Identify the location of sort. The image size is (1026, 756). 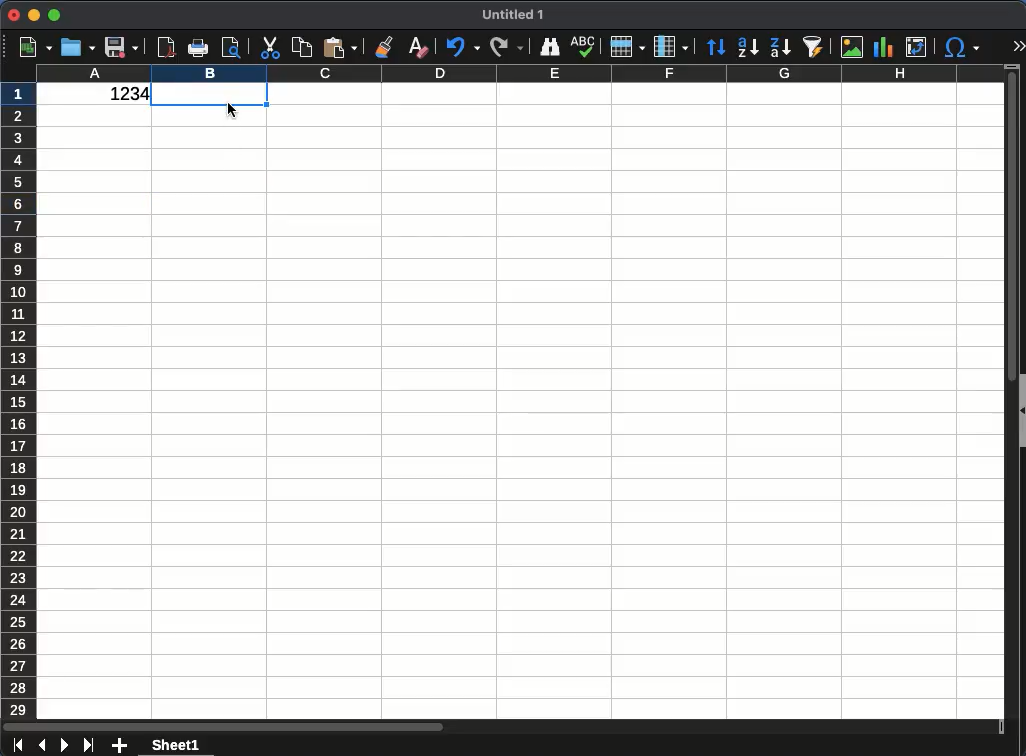
(716, 48).